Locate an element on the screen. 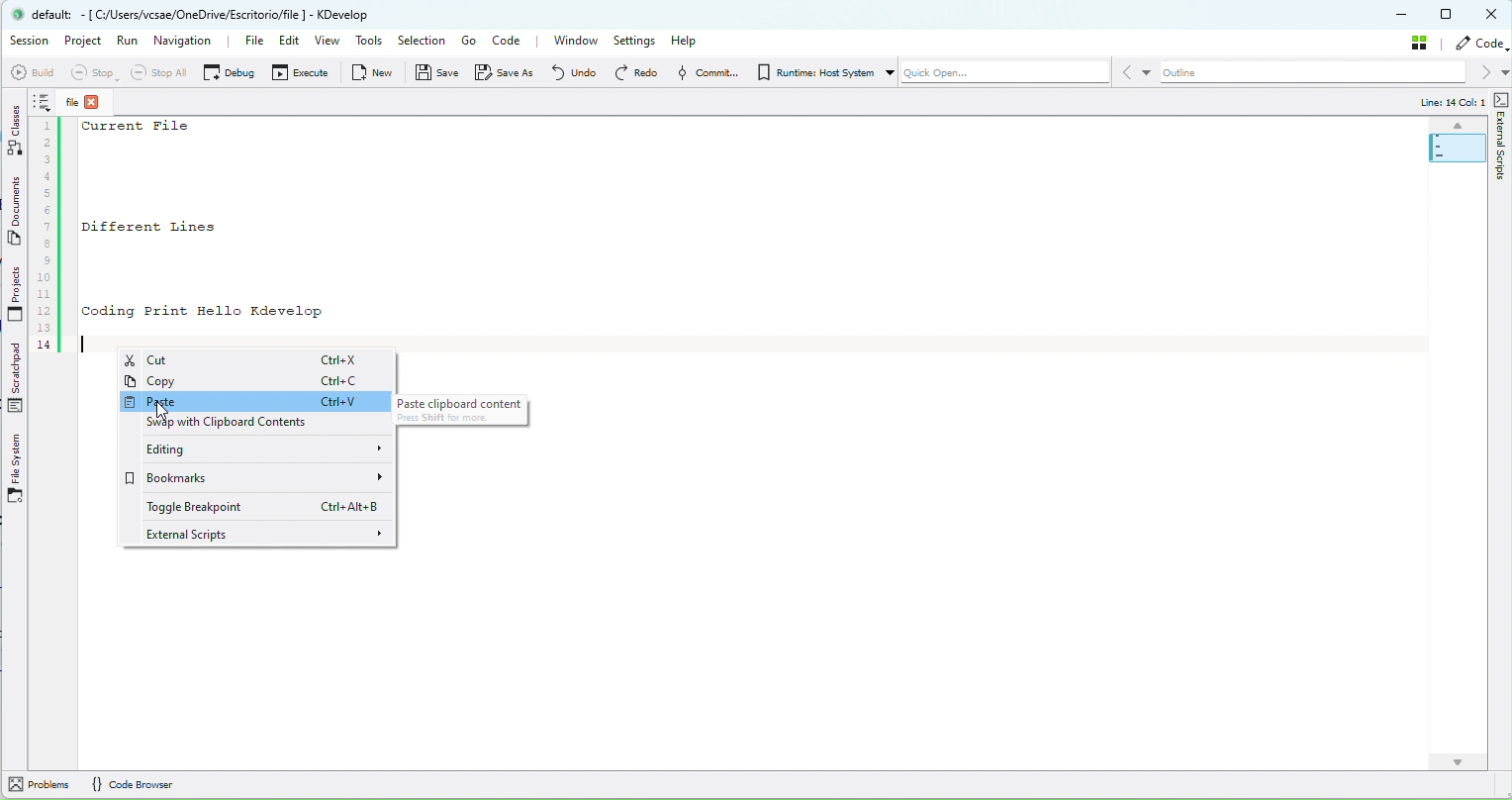 This screenshot has width=1512, height=800. Run is located at coordinates (128, 46).